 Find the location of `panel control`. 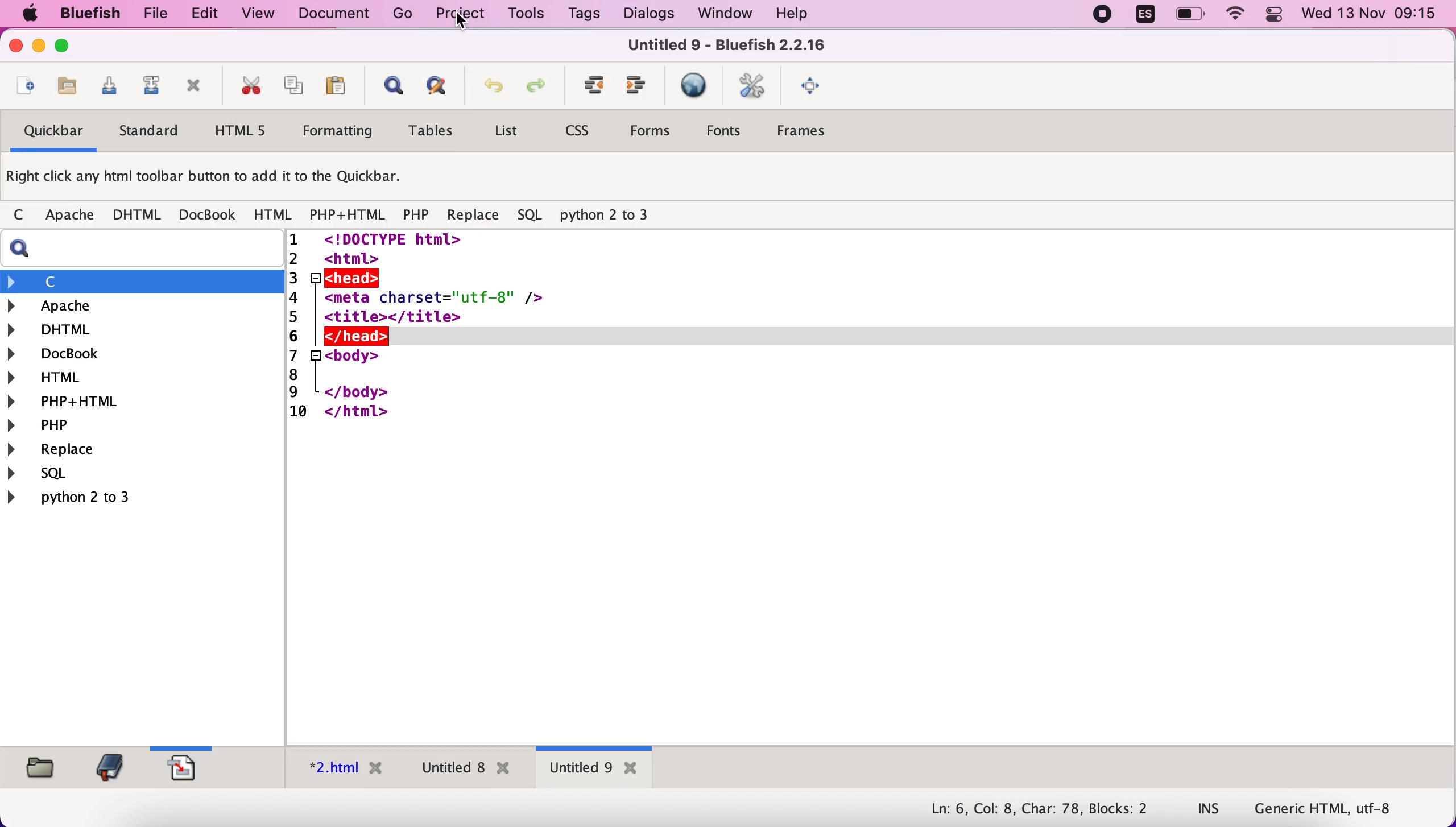

panel control is located at coordinates (1274, 15).